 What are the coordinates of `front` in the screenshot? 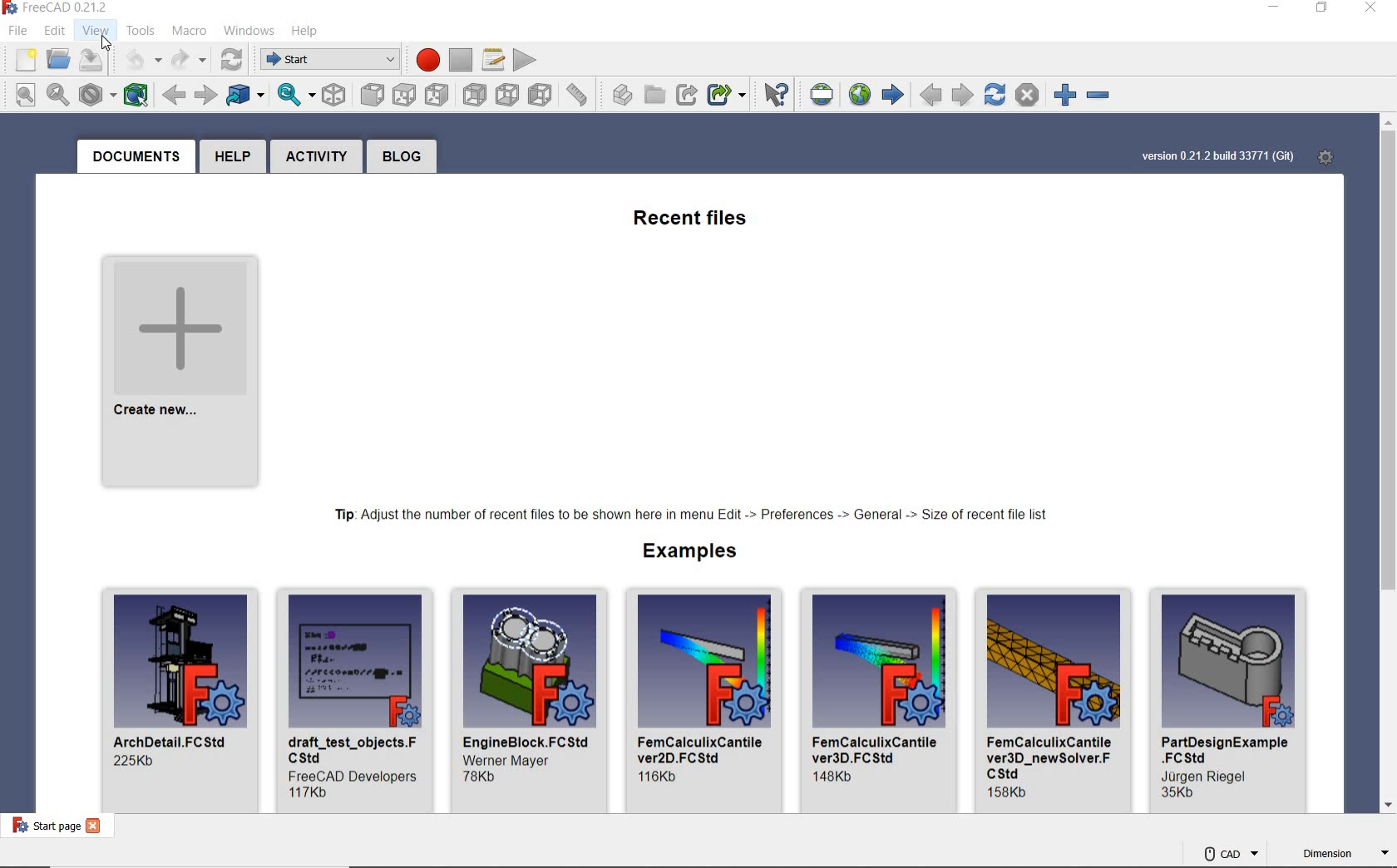 It's located at (370, 95).